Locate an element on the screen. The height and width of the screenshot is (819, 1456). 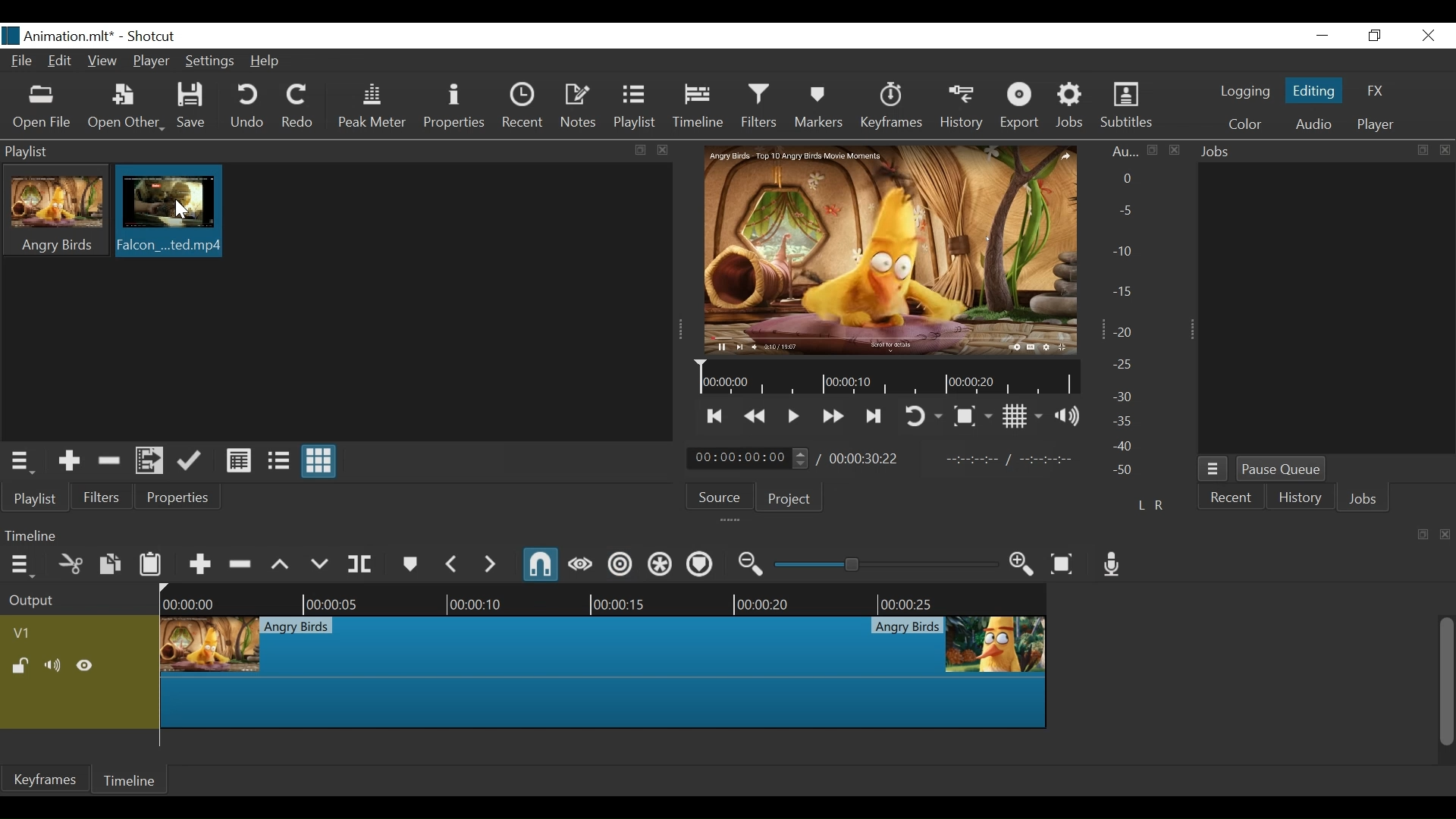
Zoom timeline in is located at coordinates (1022, 566).